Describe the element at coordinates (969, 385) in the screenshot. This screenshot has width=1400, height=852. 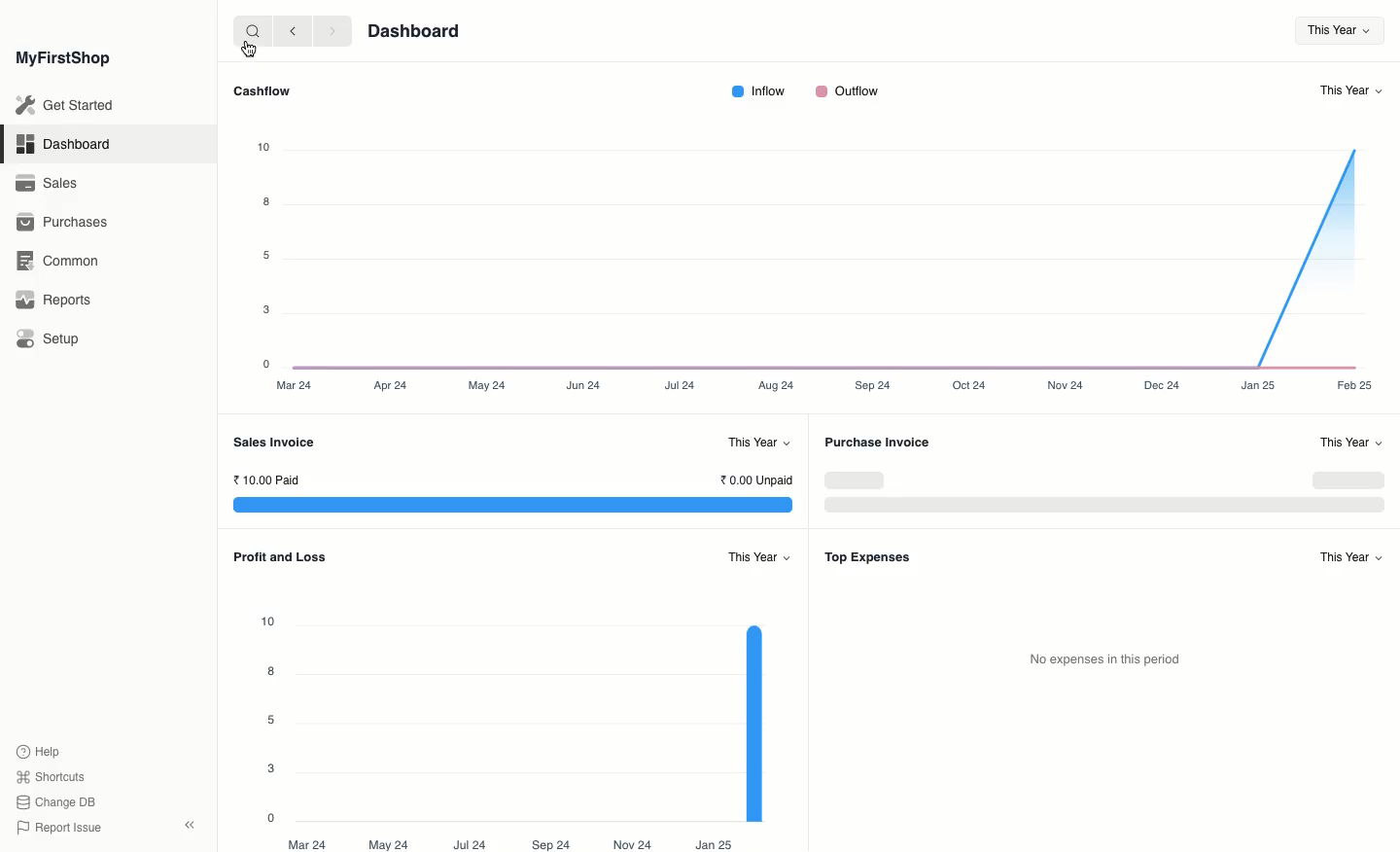
I see `Oct 24` at that location.